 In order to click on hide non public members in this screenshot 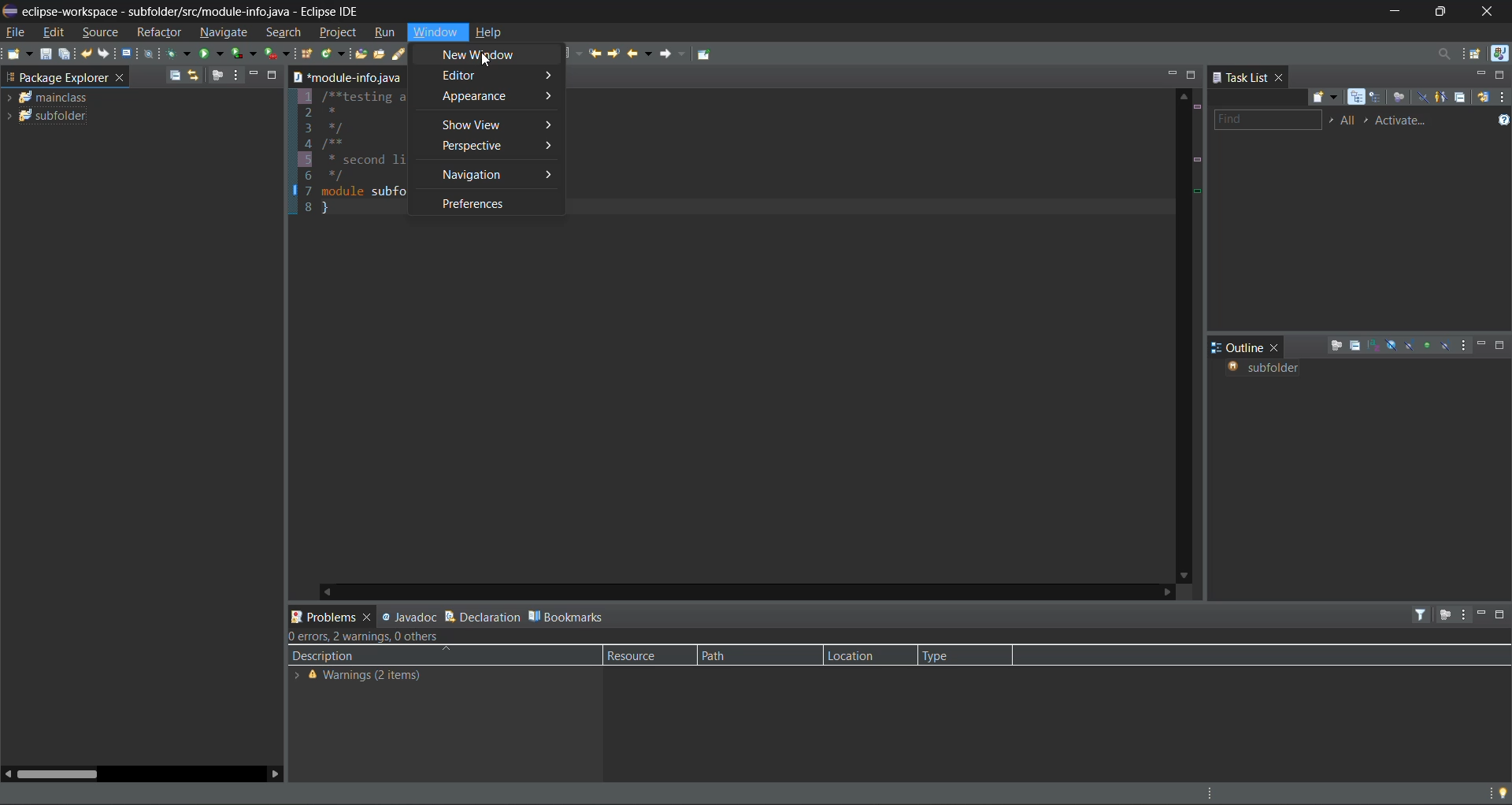, I will do `click(1427, 344)`.